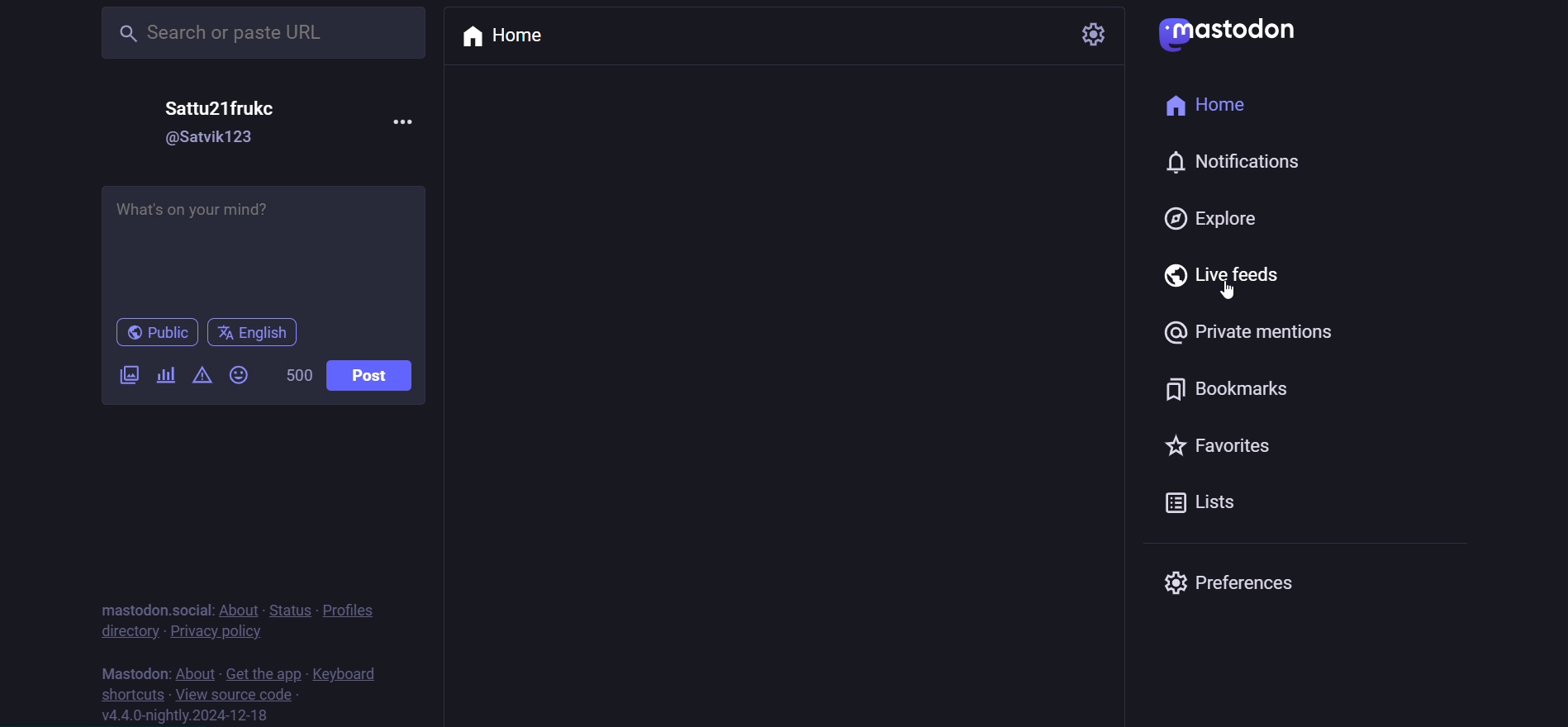 The image size is (1568, 727). Describe the element at coordinates (1095, 34) in the screenshot. I see `setting` at that location.